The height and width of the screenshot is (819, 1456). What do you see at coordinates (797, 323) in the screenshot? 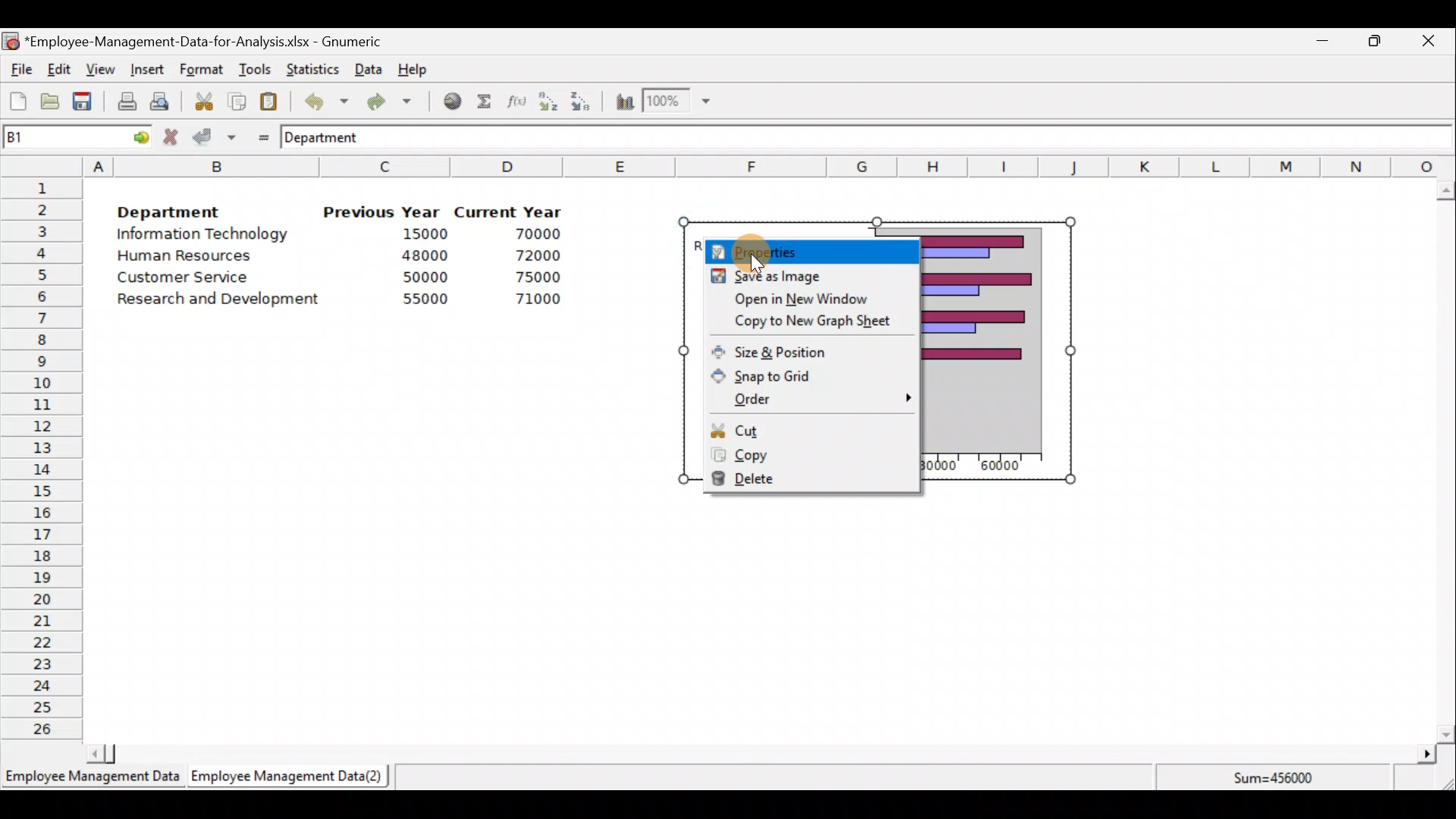
I see `Copy to new graph sheet` at bounding box center [797, 323].